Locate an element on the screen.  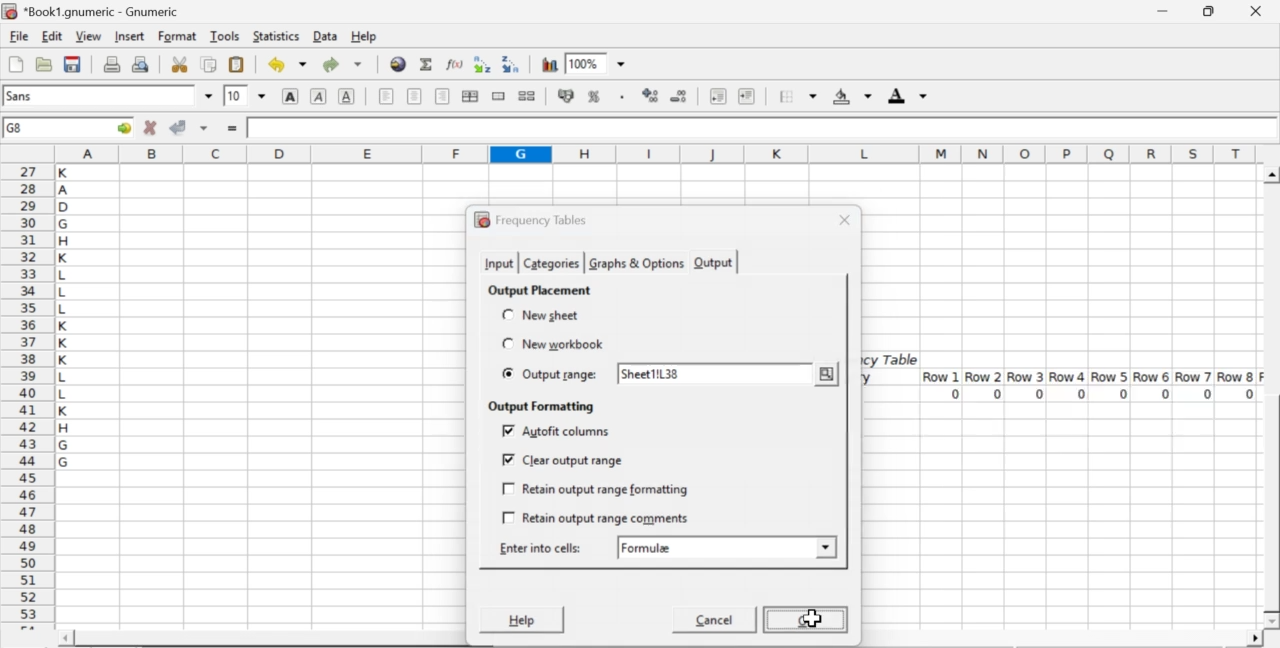
format selection as percentage is located at coordinates (592, 96).